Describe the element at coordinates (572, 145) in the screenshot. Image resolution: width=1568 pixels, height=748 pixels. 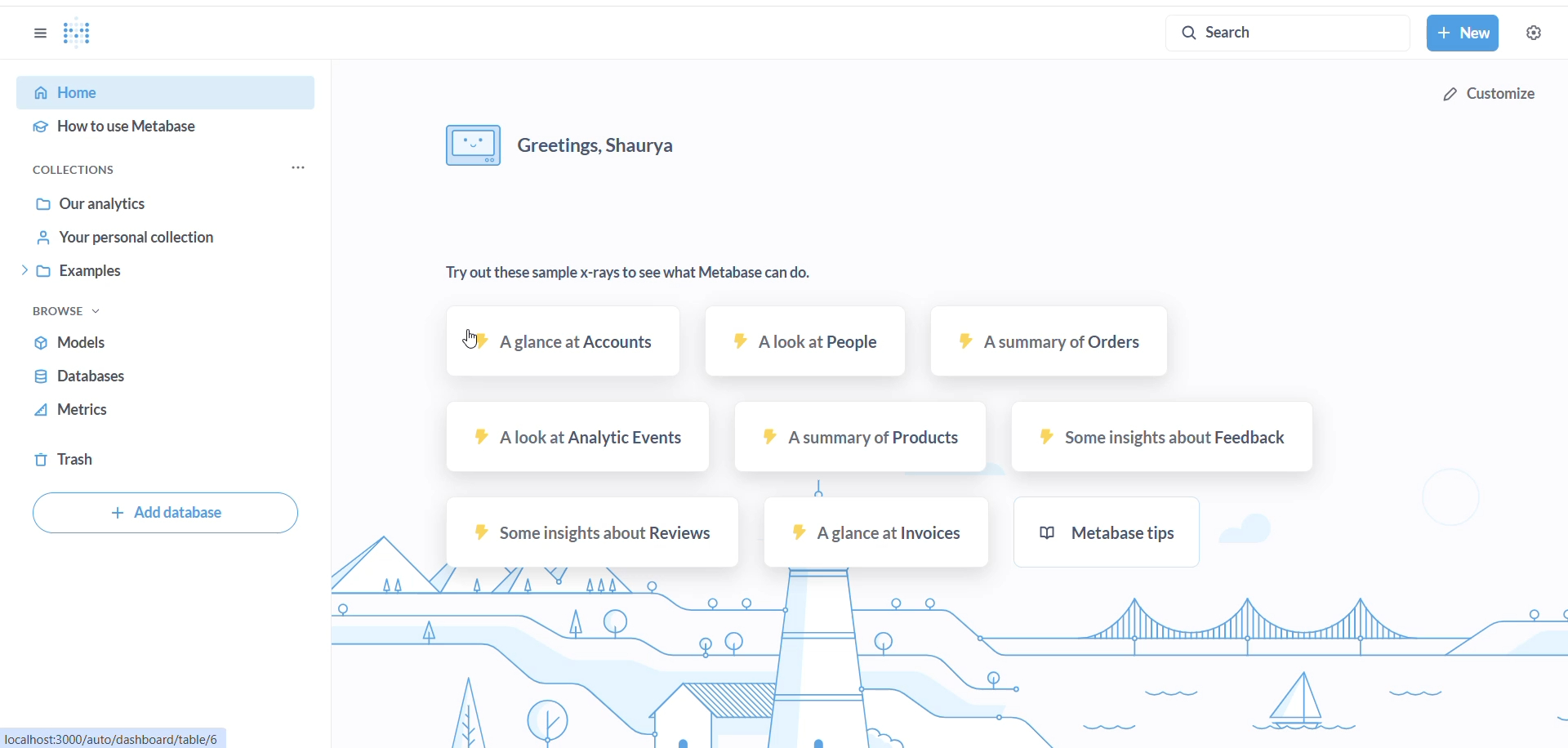
I see `greeting message` at that location.